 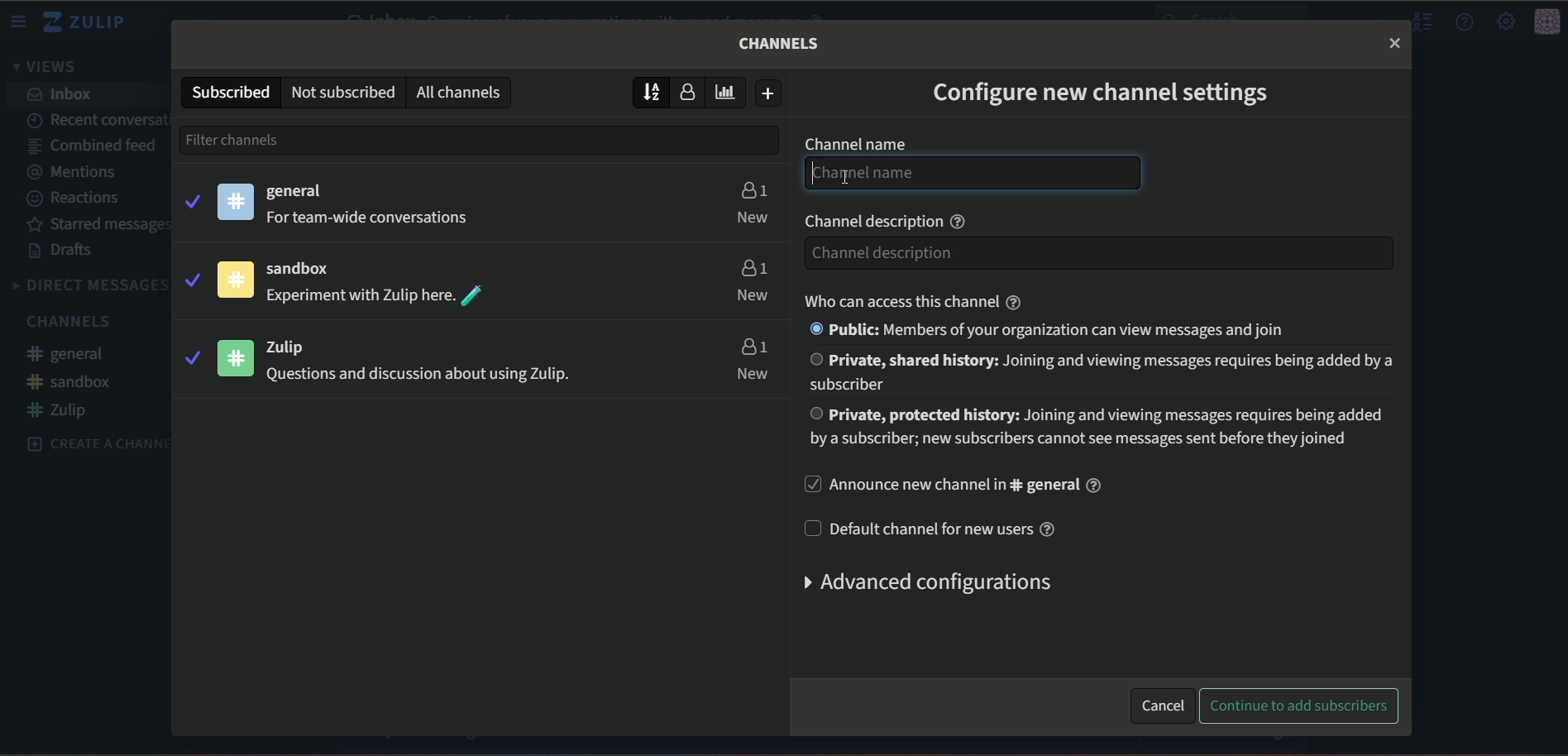 What do you see at coordinates (692, 93) in the screenshot?
I see `user` at bounding box center [692, 93].